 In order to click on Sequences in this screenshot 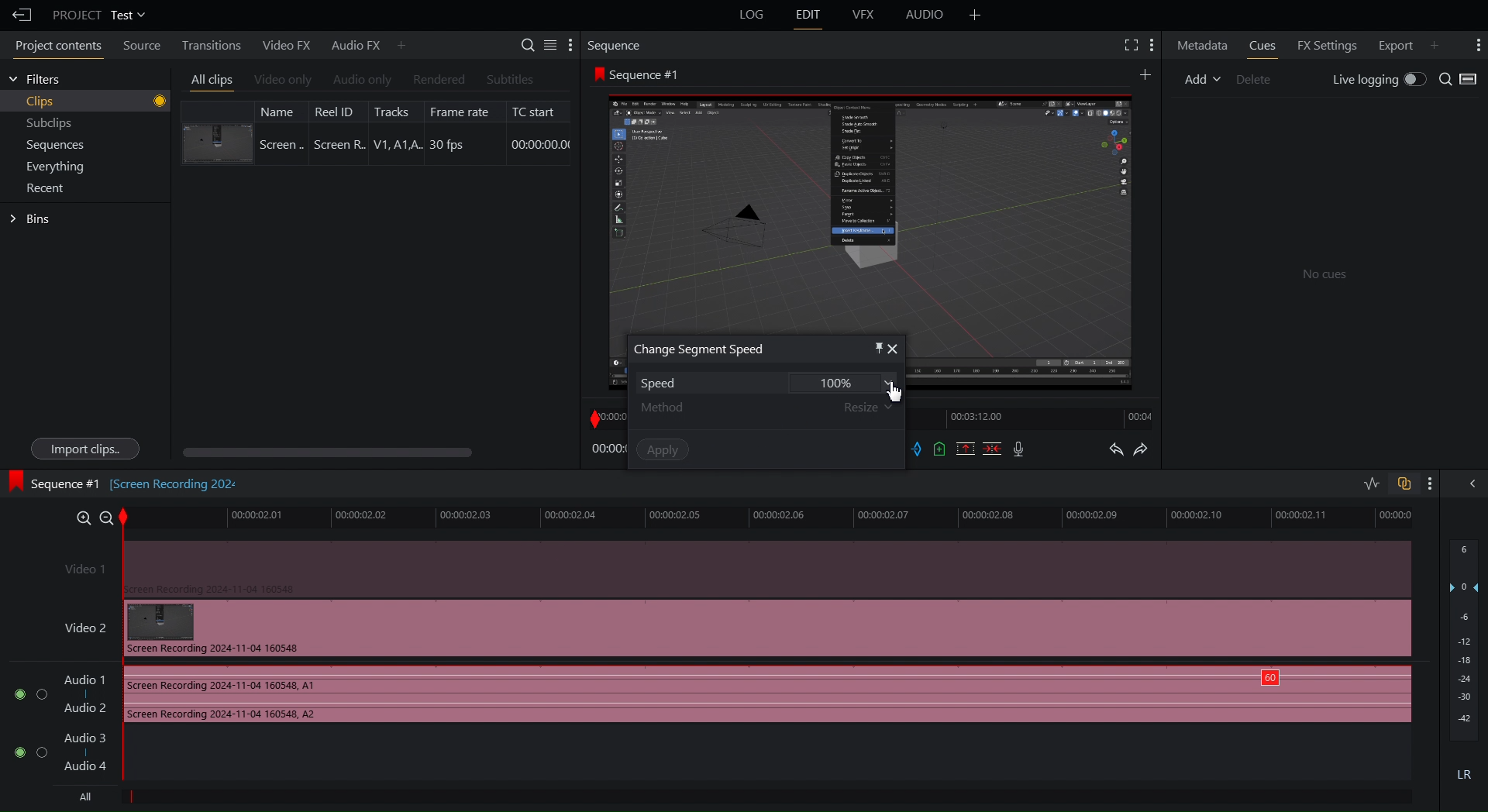, I will do `click(56, 146)`.